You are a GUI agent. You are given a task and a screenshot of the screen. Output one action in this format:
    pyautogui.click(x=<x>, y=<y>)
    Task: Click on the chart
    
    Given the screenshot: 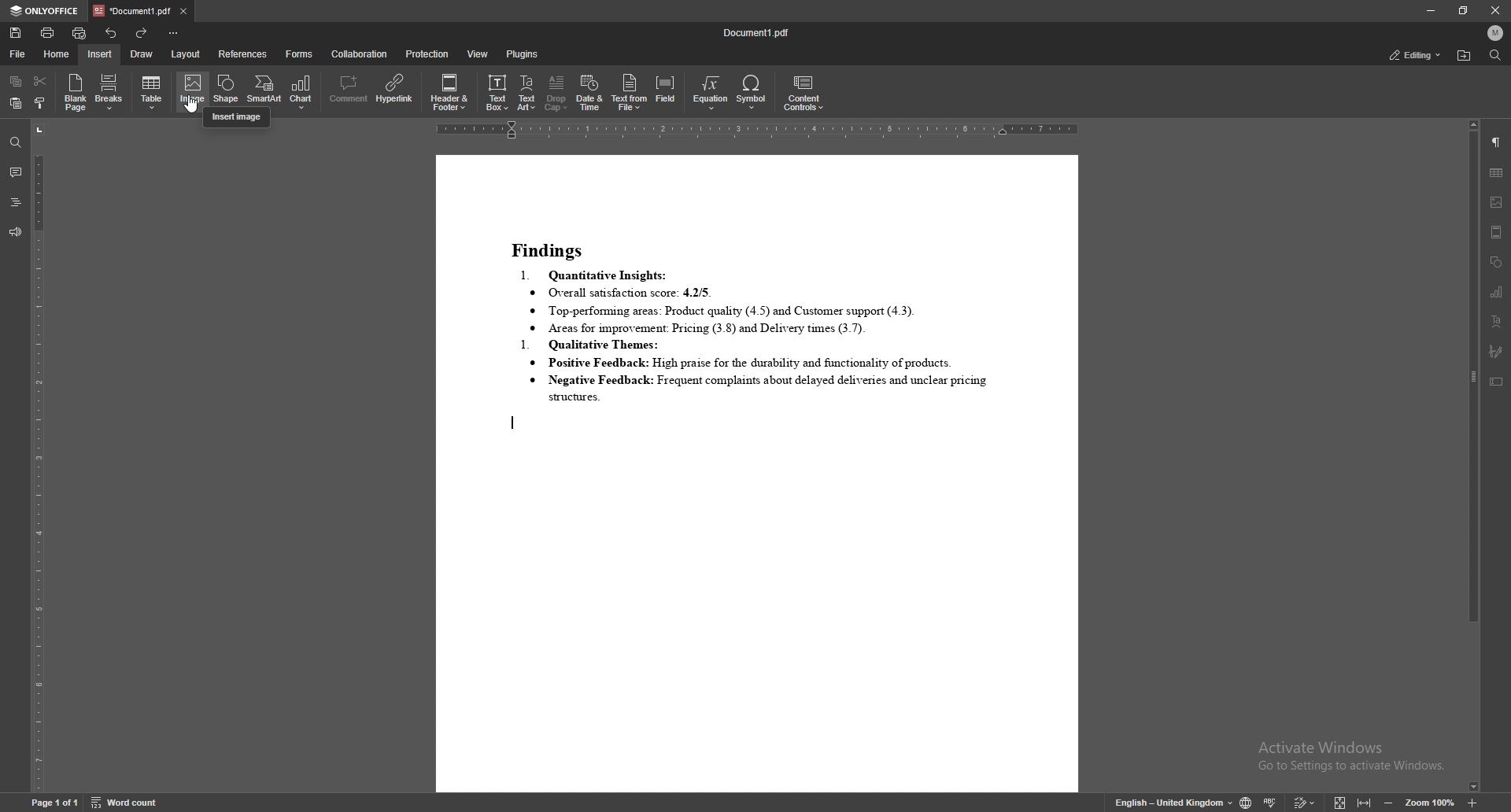 What is the action you would take?
    pyautogui.click(x=302, y=90)
    